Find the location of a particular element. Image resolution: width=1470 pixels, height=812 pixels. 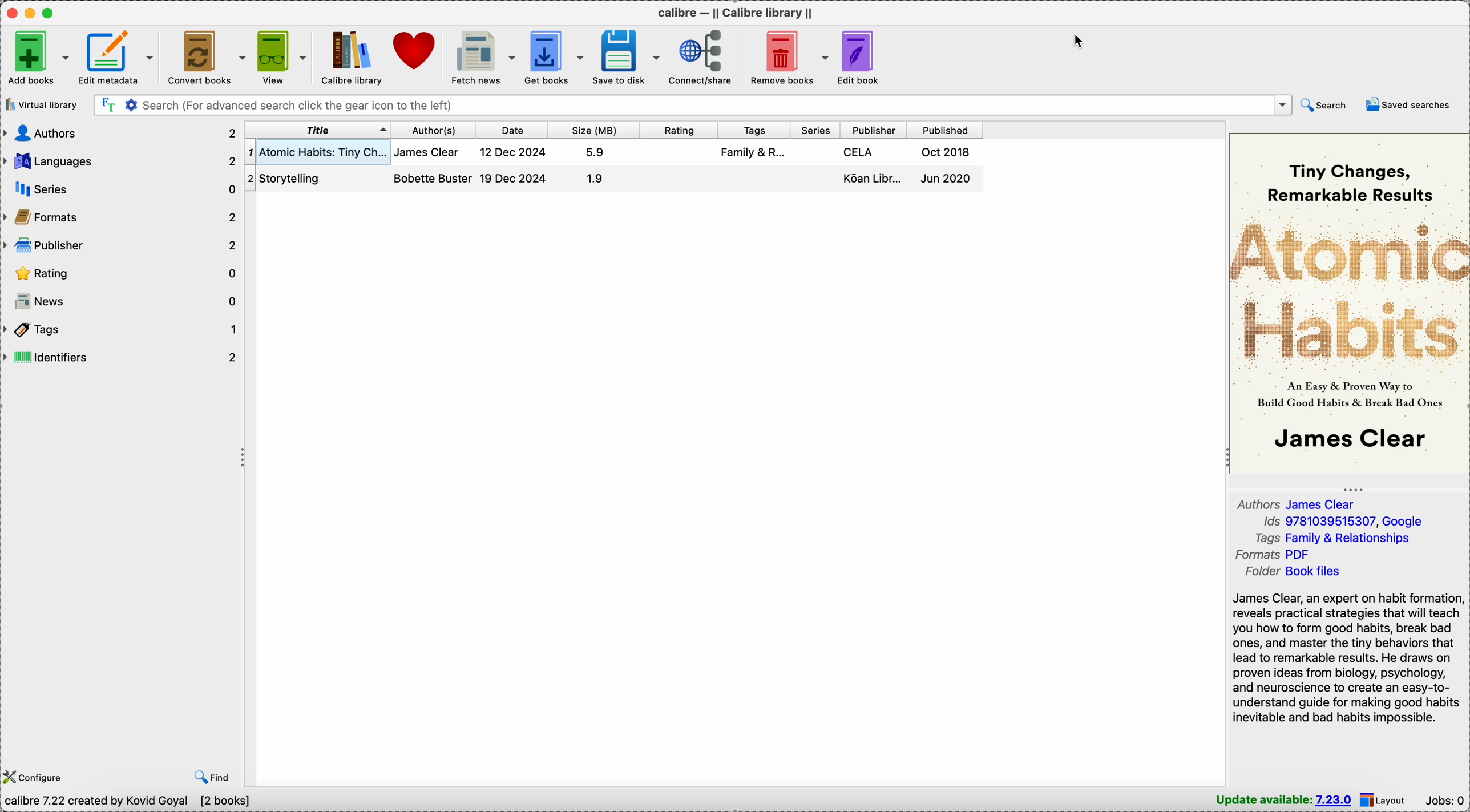

update available is located at coordinates (1285, 800).